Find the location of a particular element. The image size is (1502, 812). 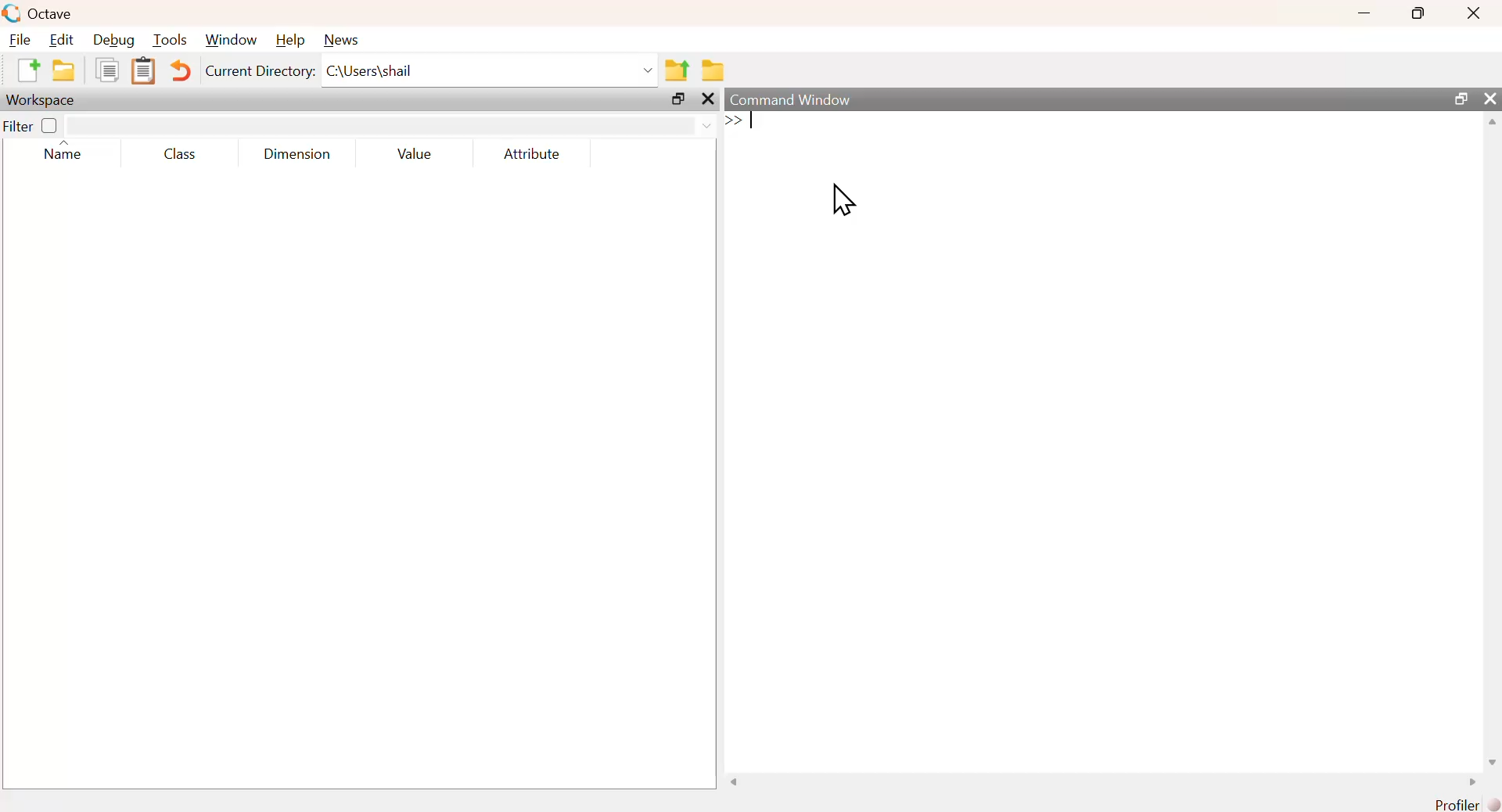

command window is located at coordinates (792, 99).